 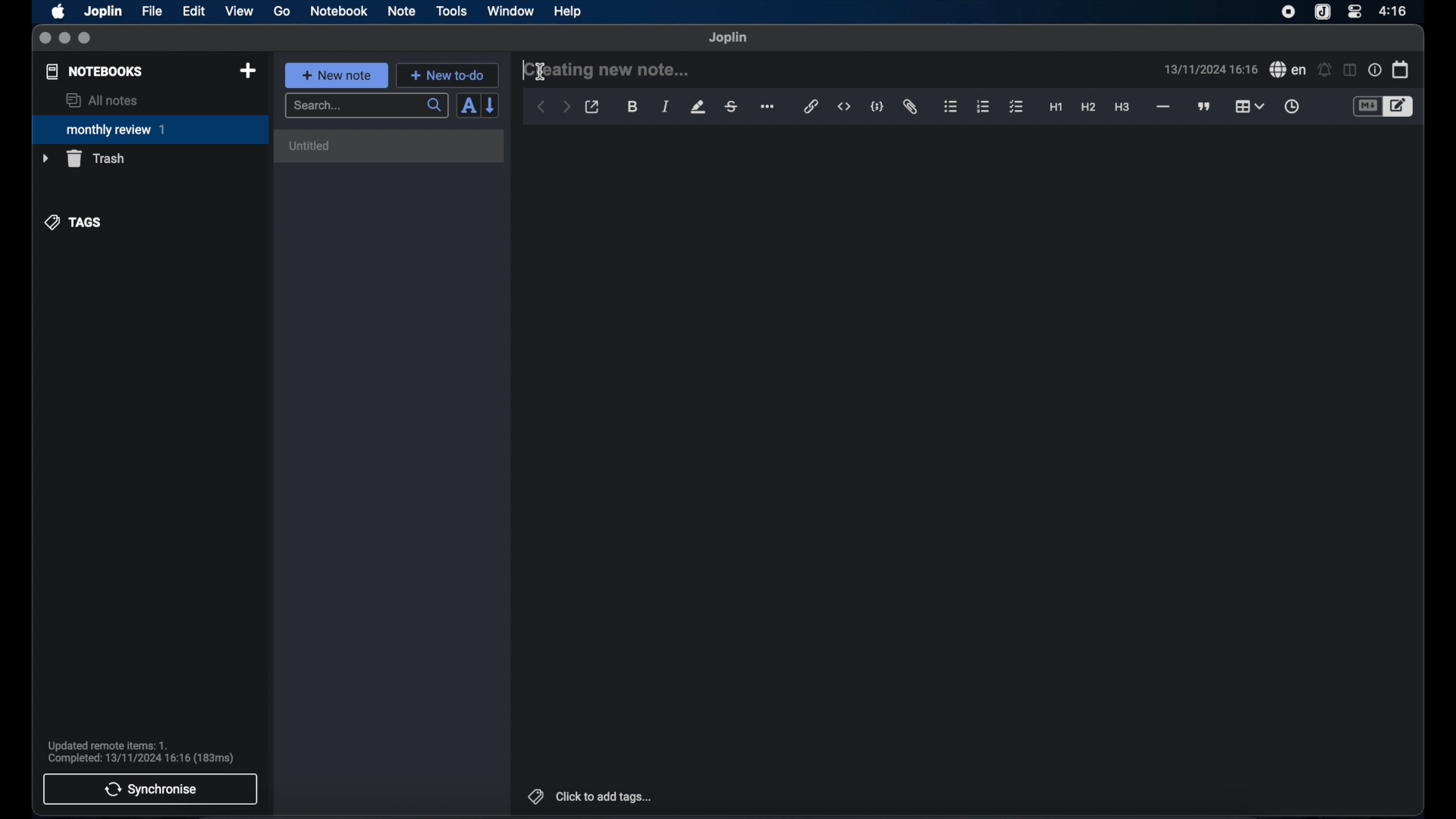 I want to click on file, so click(x=152, y=11).